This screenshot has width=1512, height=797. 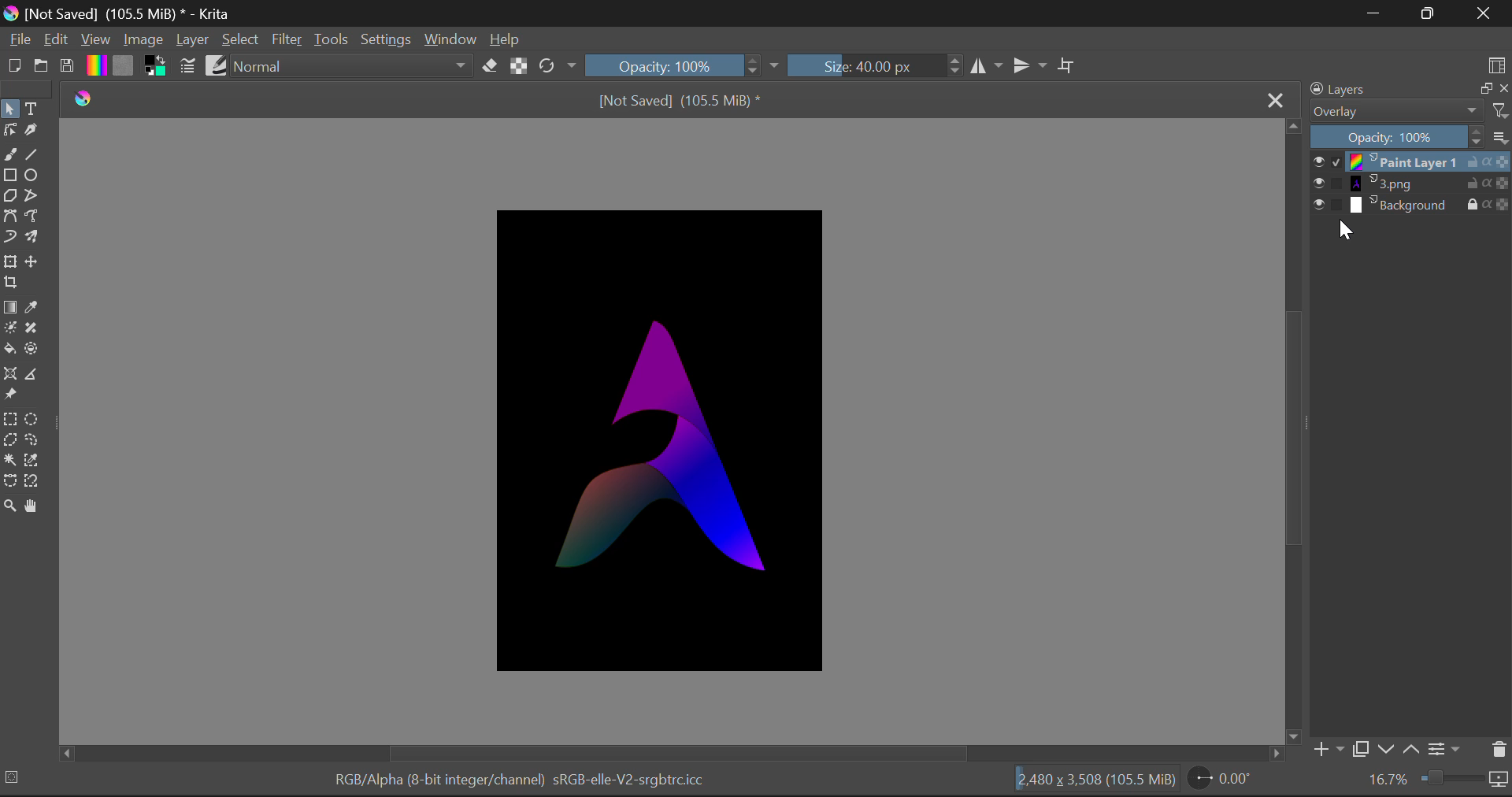 What do you see at coordinates (1099, 780) in the screenshot?
I see `12,480 x 3,508 (105.5 MiB)` at bounding box center [1099, 780].